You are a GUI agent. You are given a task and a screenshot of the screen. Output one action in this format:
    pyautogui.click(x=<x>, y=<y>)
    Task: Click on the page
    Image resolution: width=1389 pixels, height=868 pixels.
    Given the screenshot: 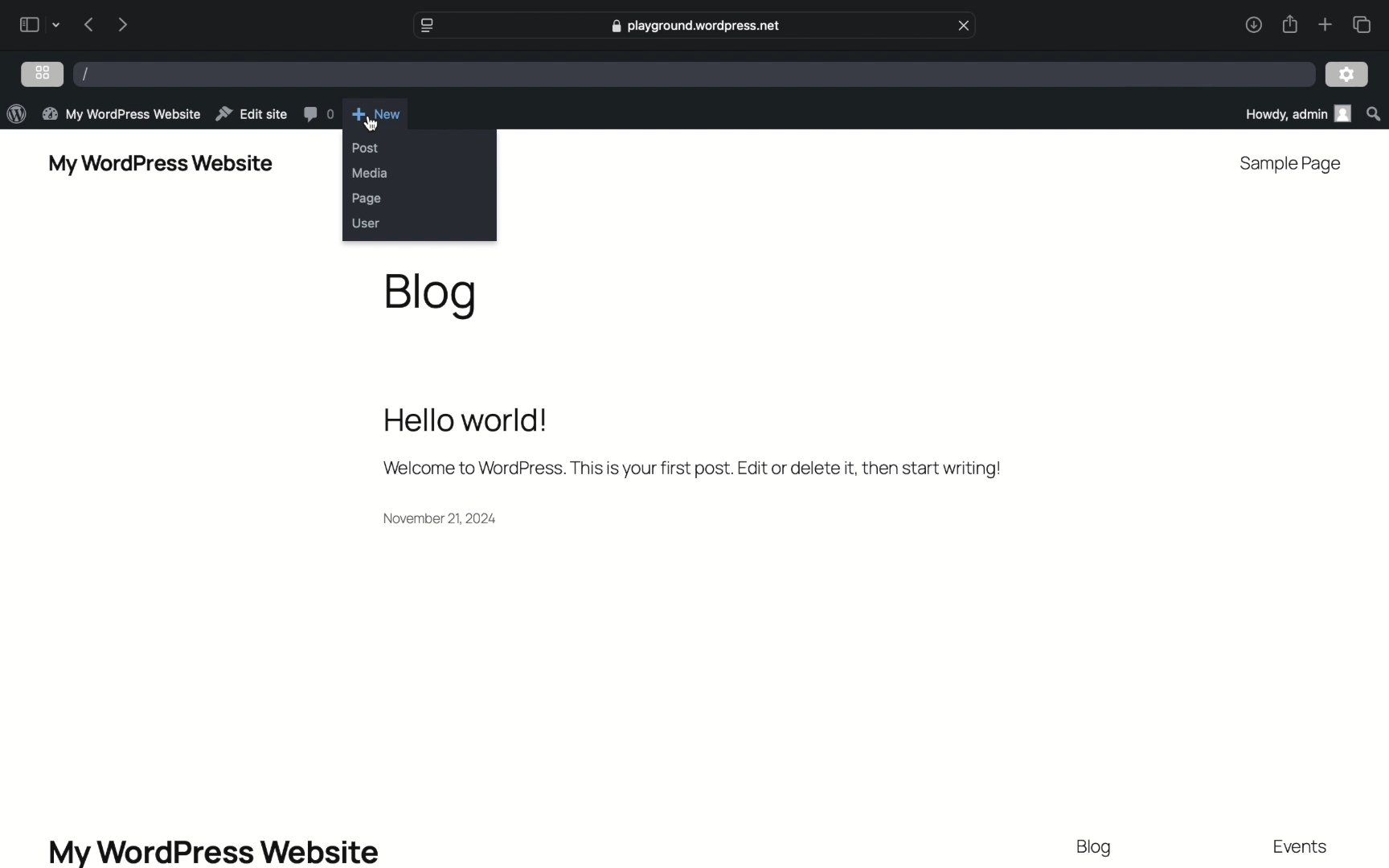 What is the action you would take?
    pyautogui.click(x=367, y=198)
    